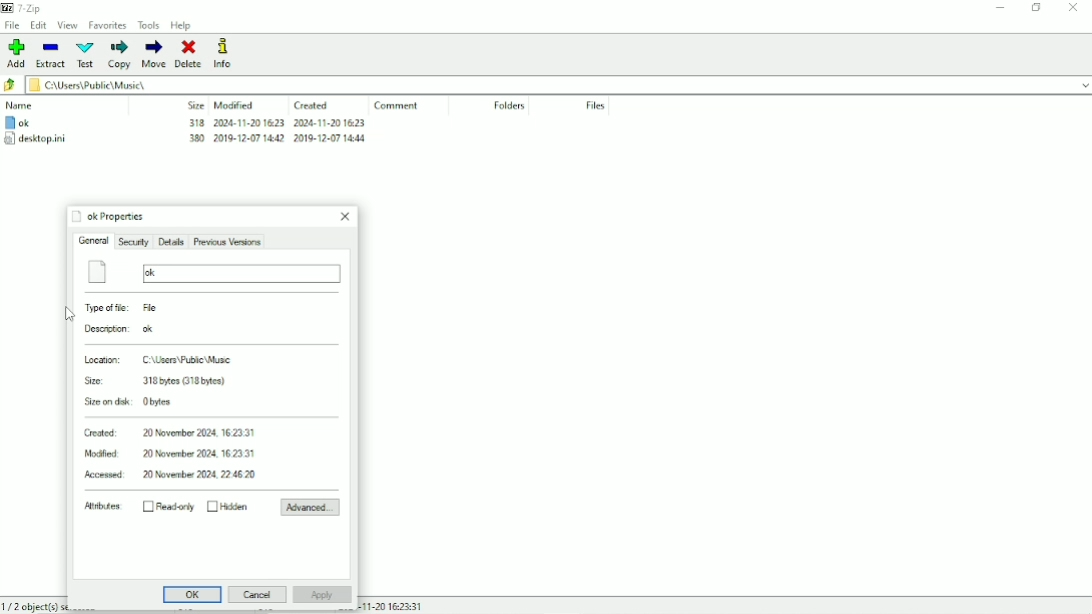 The height and width of the screenshot is (614, 1092). What do you see at coordinates (92, 240) in the screenshot?
I see `General` at bounding box center [92, 240].